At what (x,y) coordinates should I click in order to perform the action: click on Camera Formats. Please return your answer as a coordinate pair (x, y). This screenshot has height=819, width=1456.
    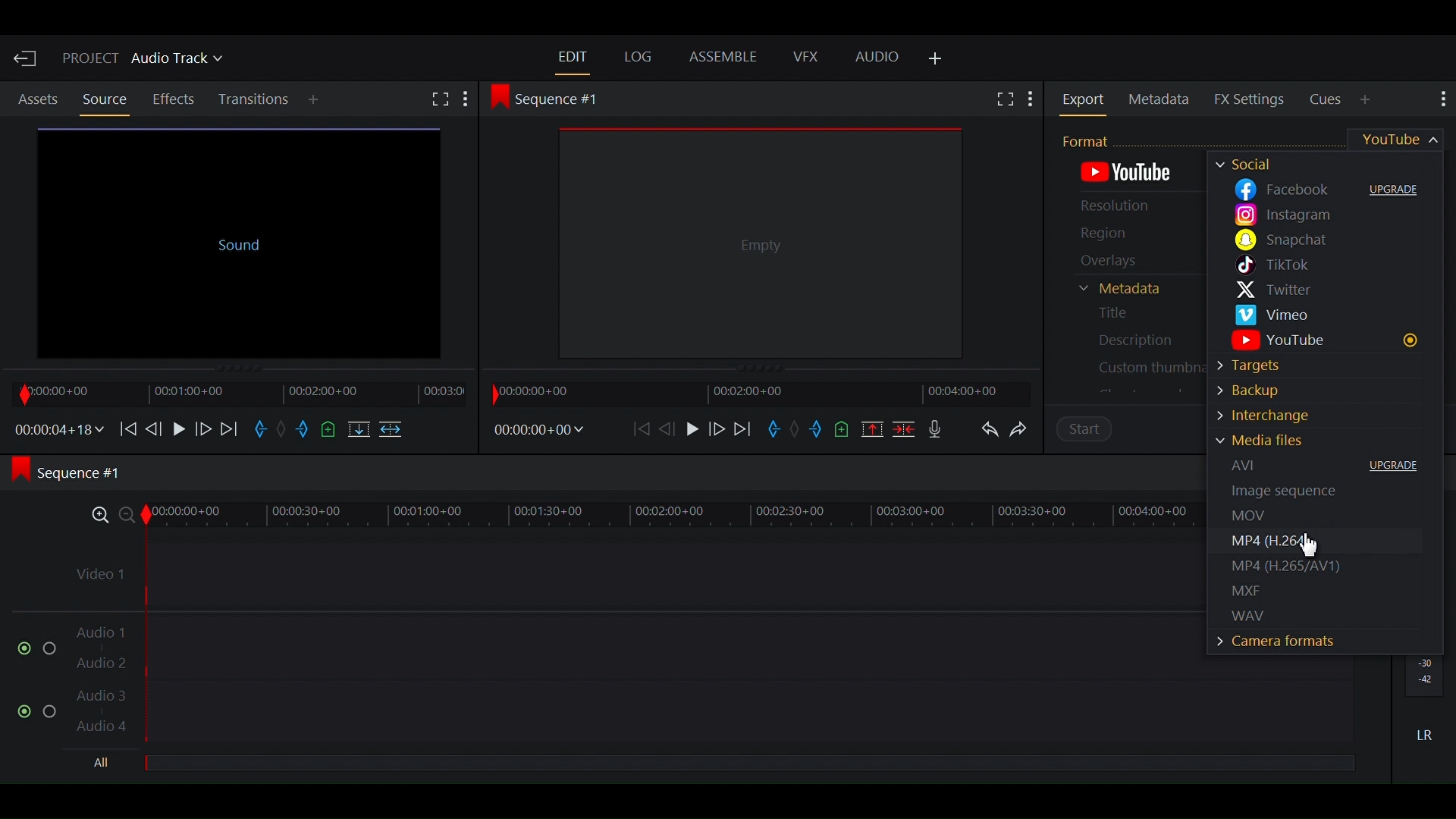
    Looking at the image, I should click on (1327, 642).